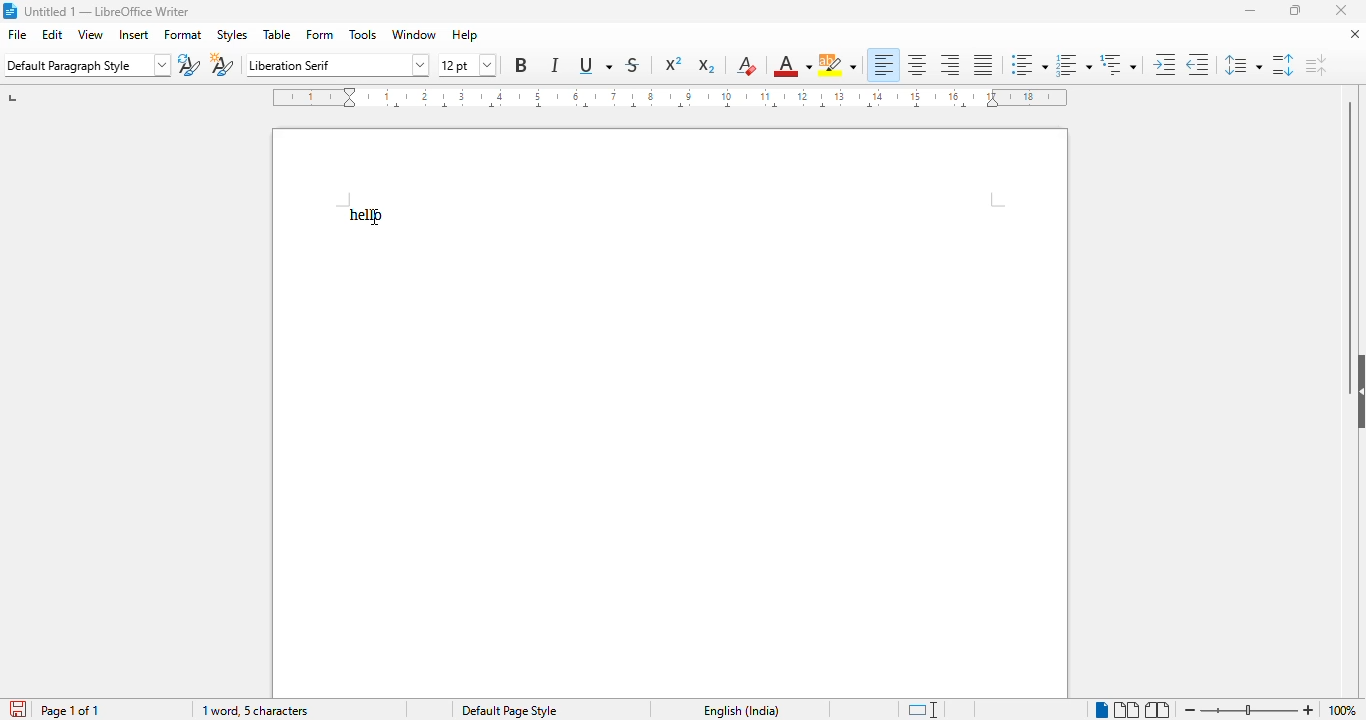 Image resolution: width=1366 pixels, height=720 pixels. Describe the element at coordinates (669, 97) in the screenshot. I see `ruler` at that location.